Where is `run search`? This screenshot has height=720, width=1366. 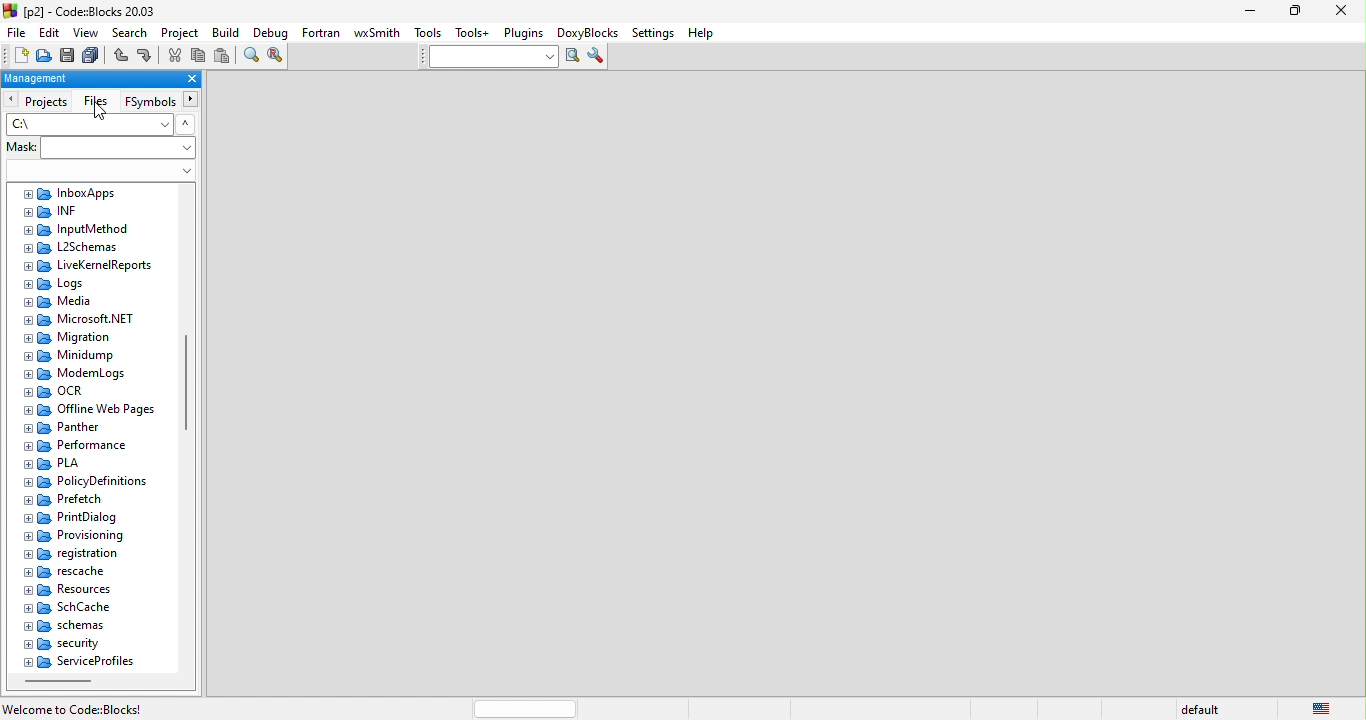 run search is located at coordinates (572, 59).